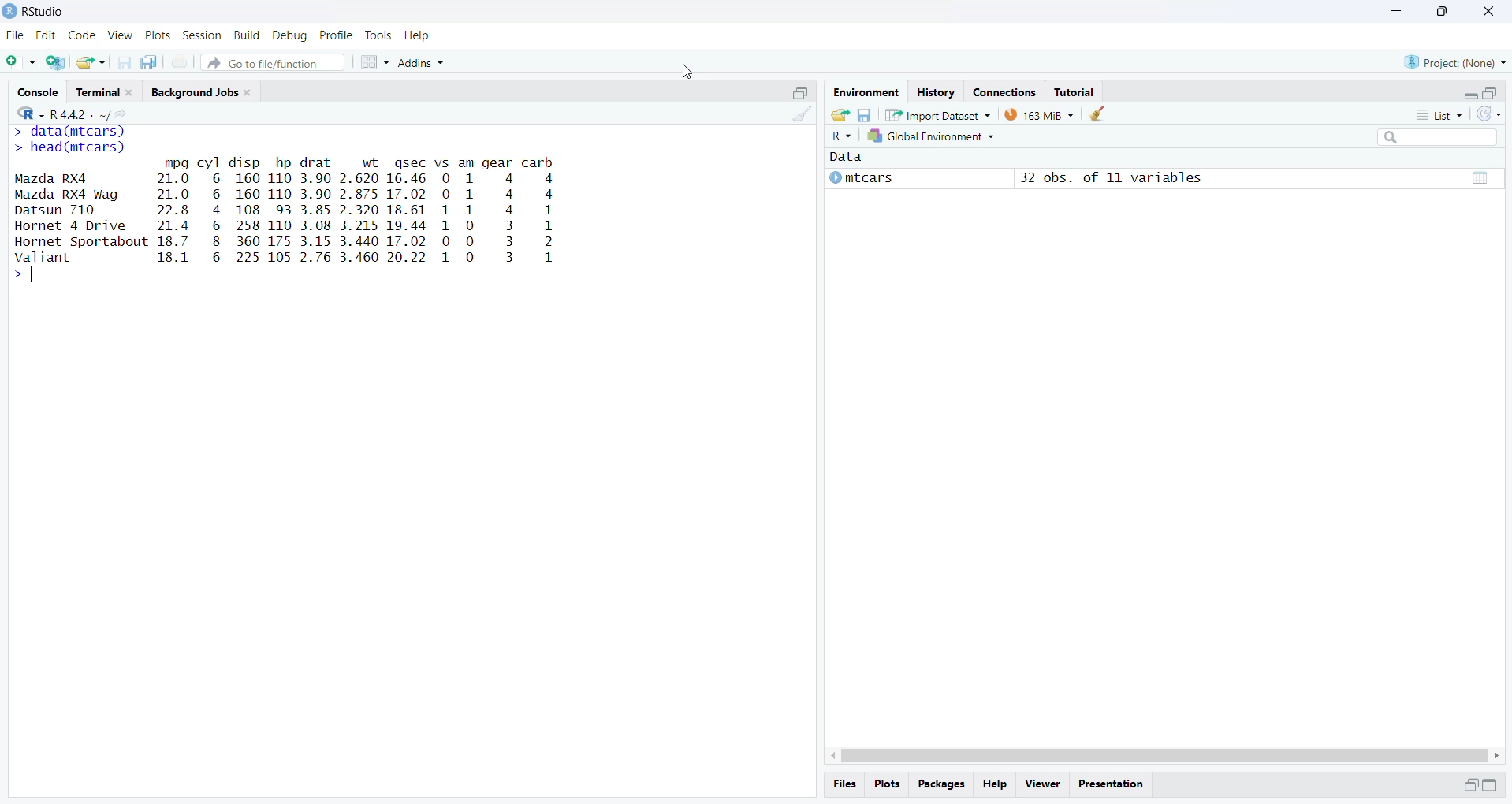  I want to click on Mazda Rx4 Mazda RX4 Wag Datsun 710 Hornet 4 Drive Hornet Sportabout valiant, so click(82, 217).